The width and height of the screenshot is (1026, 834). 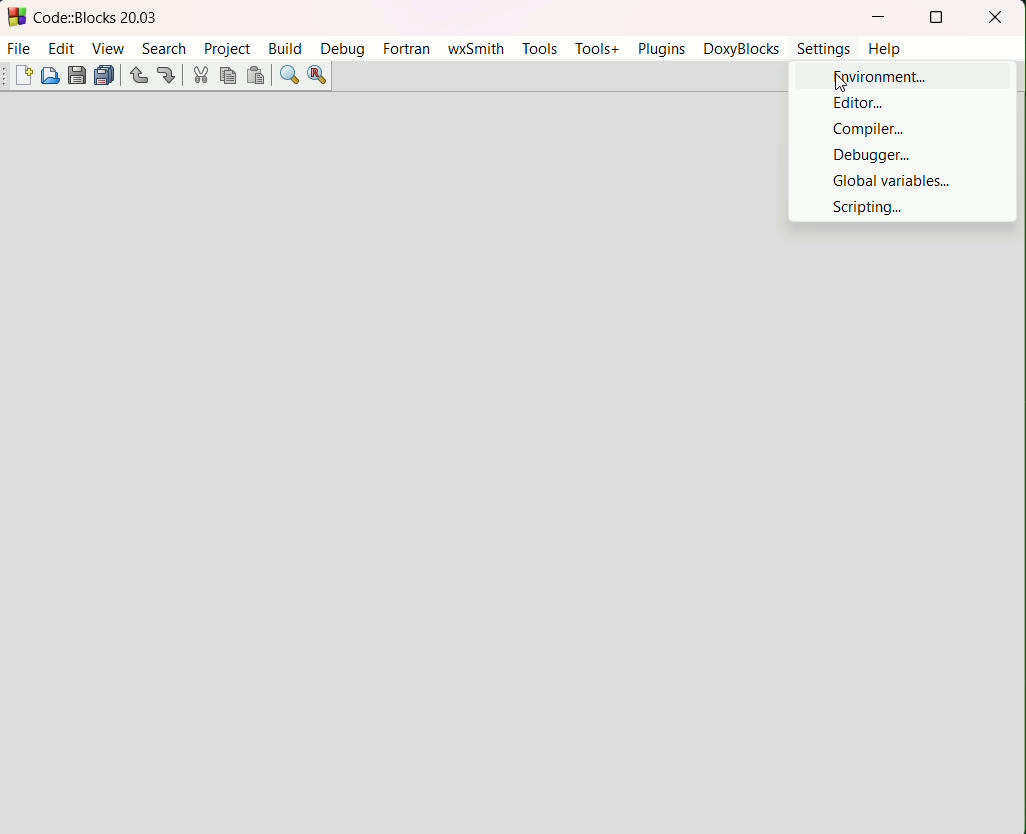 What do you see at coordinates (869, 129) in the screenshot?
I see `compiler` at bounding box center [869, 129].